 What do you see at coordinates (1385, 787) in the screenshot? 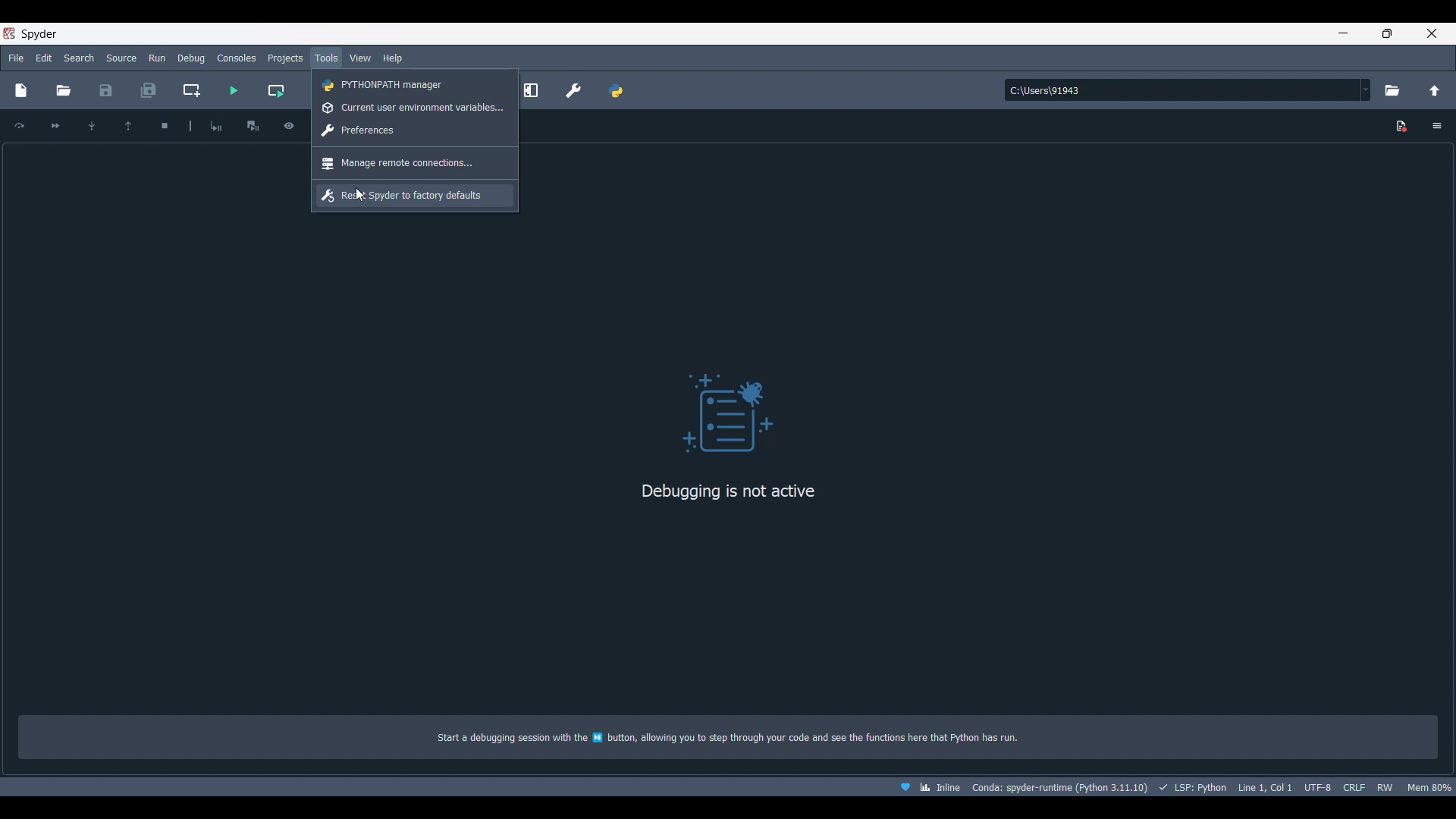
I see `RW` at bounding box center [1385, 787].